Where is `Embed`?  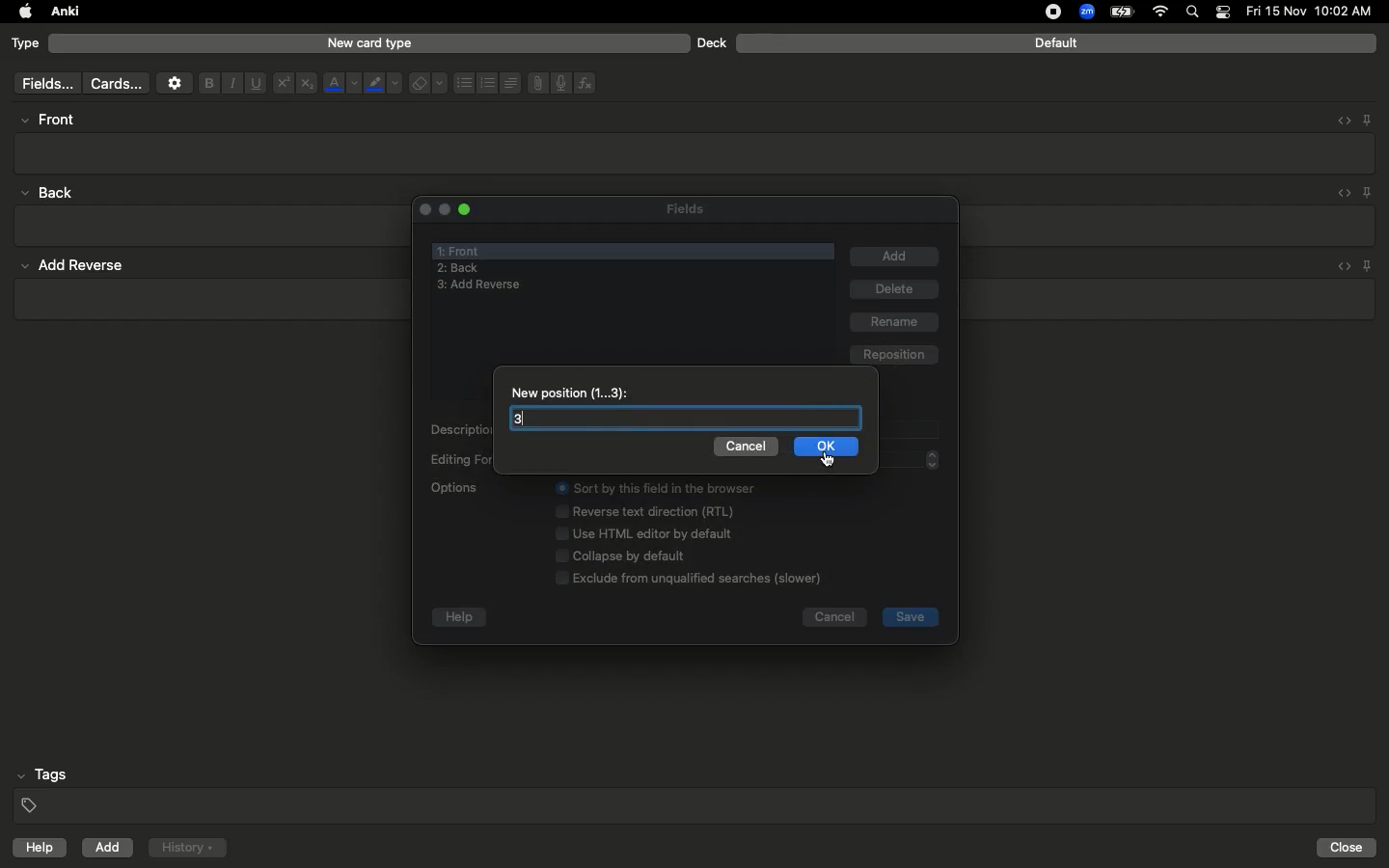 Embed is located at coordinates (1340, 194).